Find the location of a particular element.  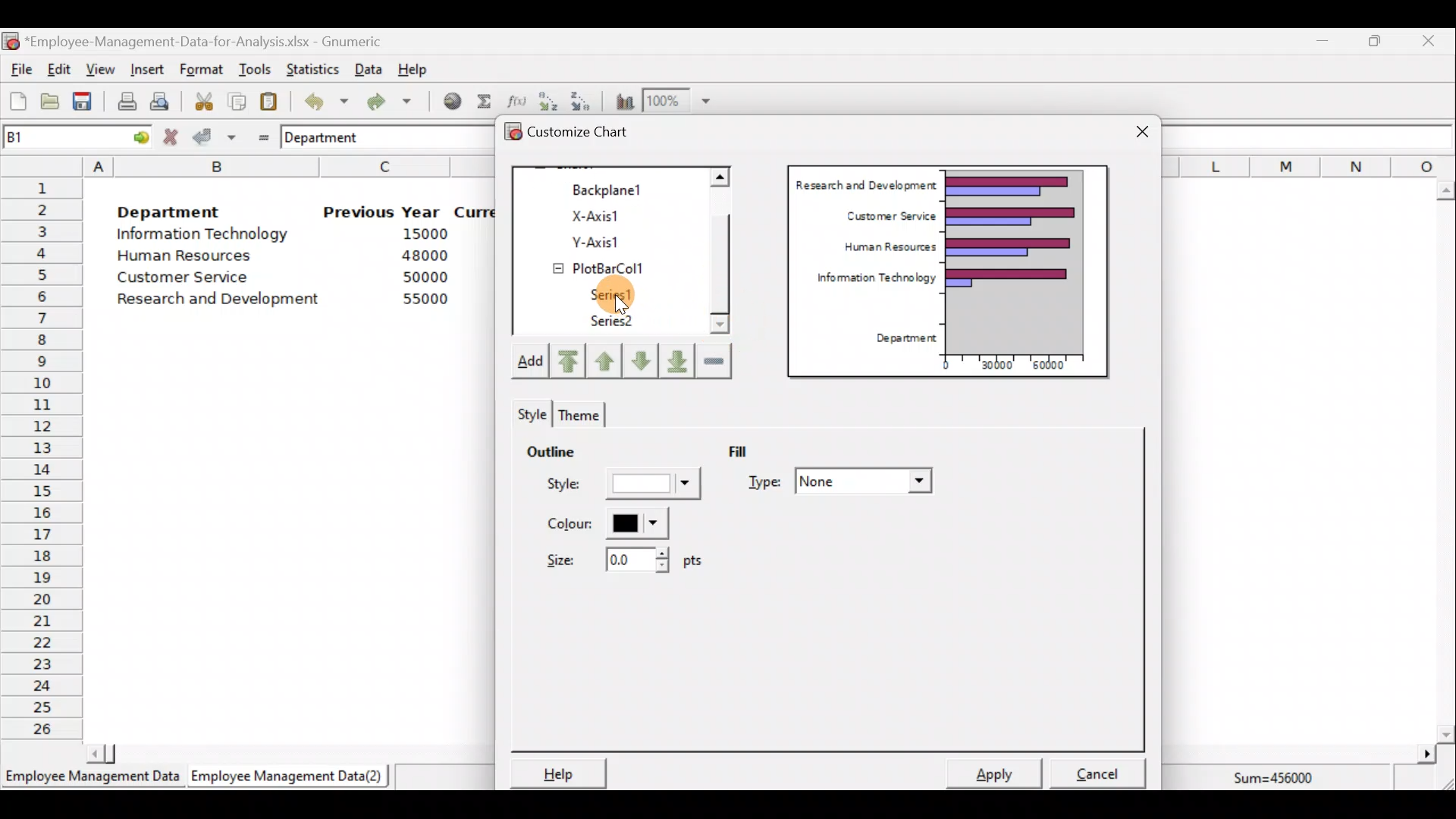

Series2 is located at coordinates (615, 322).